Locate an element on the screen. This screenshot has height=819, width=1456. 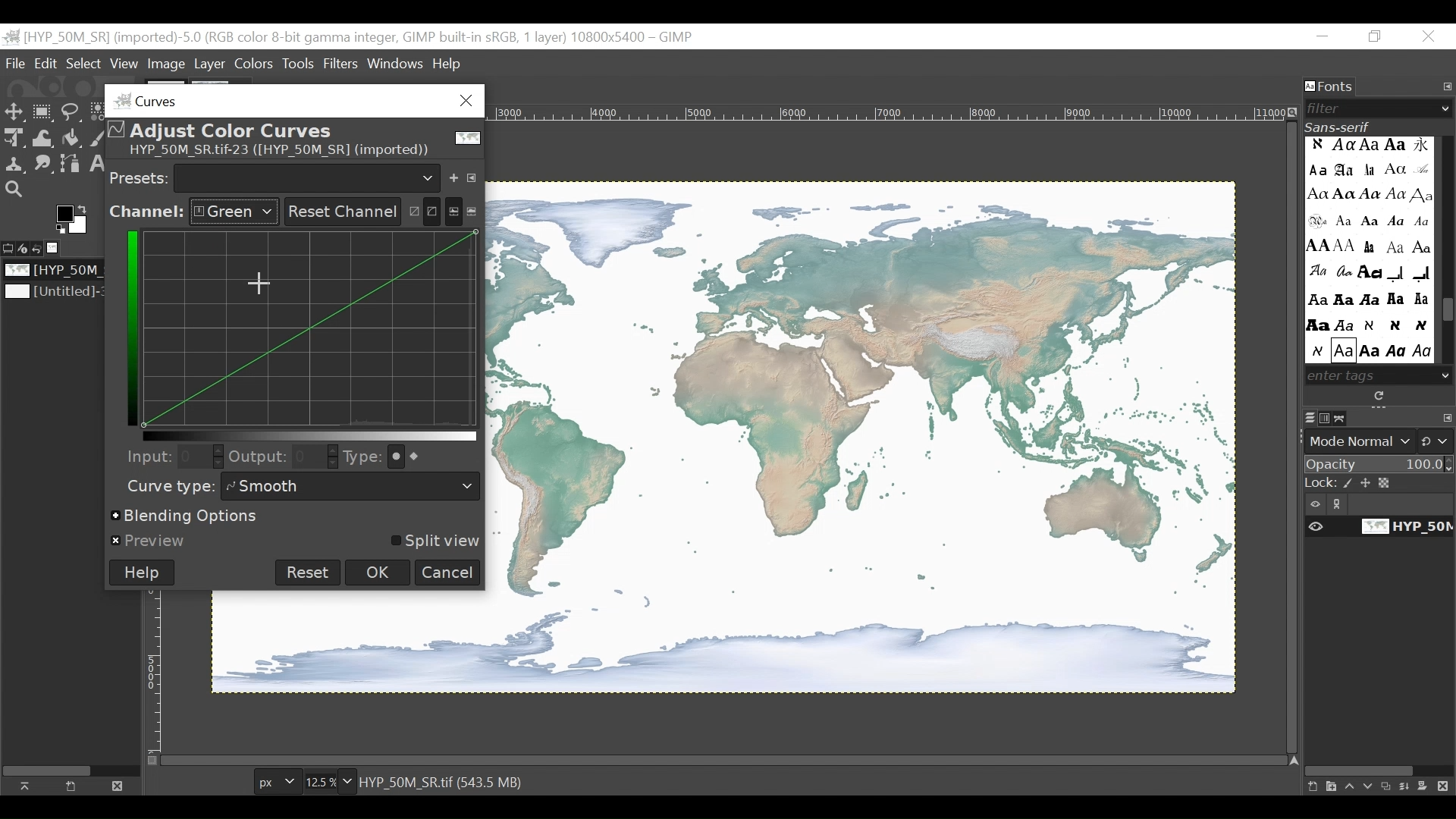
Zoom Factor is located at coordinates (325, 782).